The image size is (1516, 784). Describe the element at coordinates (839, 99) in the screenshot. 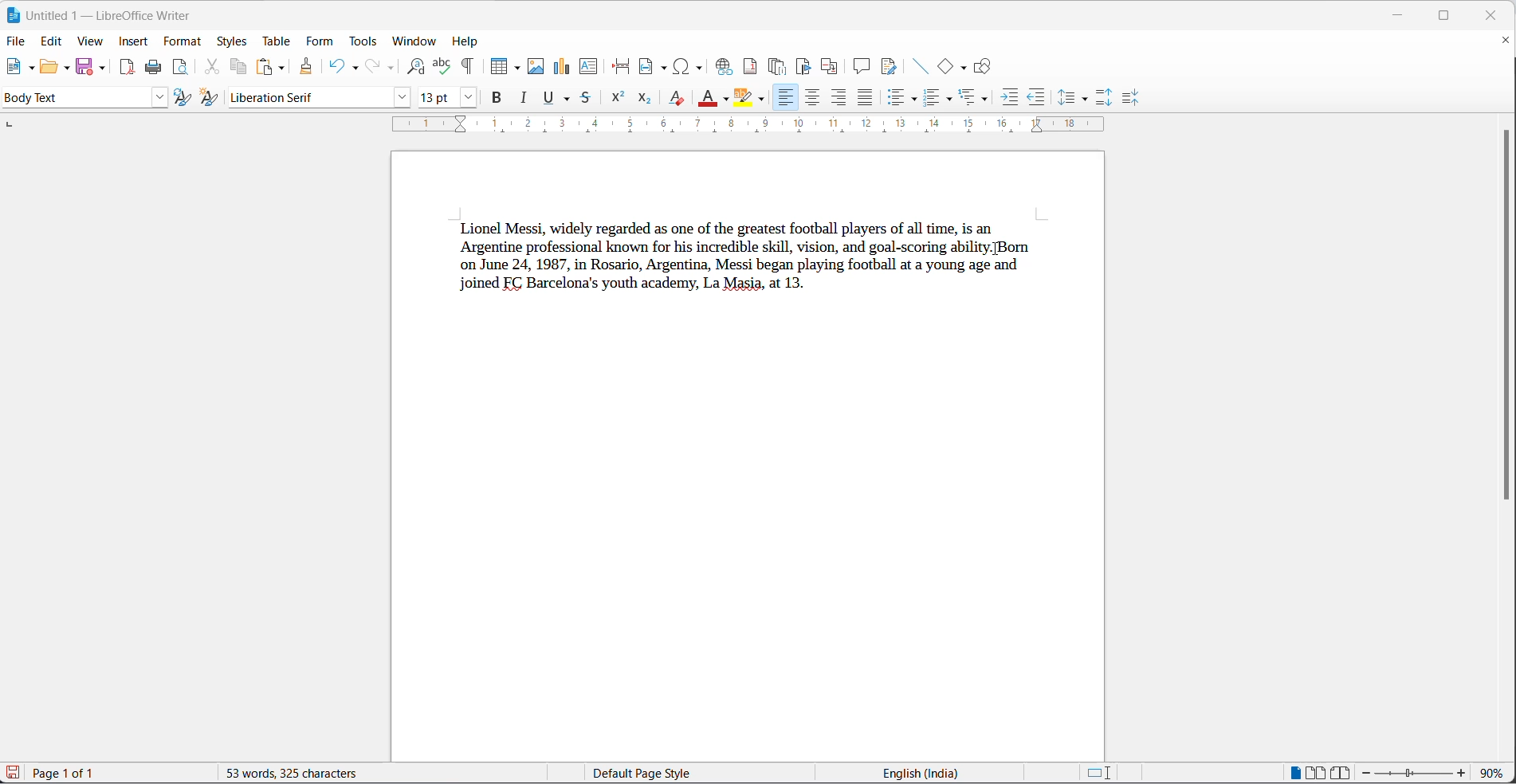

I see `text align left` at that location.